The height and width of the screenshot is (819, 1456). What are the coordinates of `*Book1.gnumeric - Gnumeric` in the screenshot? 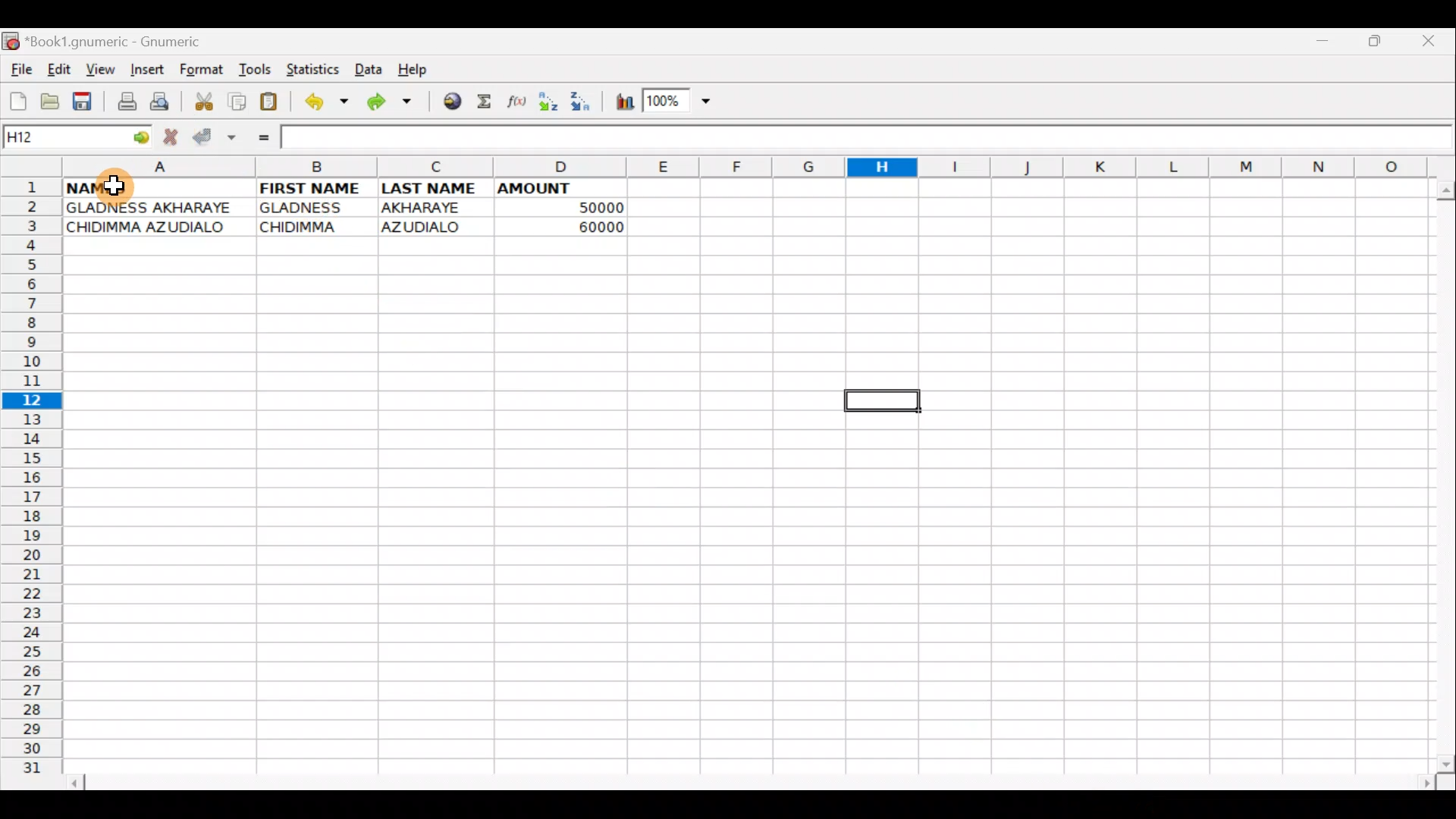 It's located at (122, 42).